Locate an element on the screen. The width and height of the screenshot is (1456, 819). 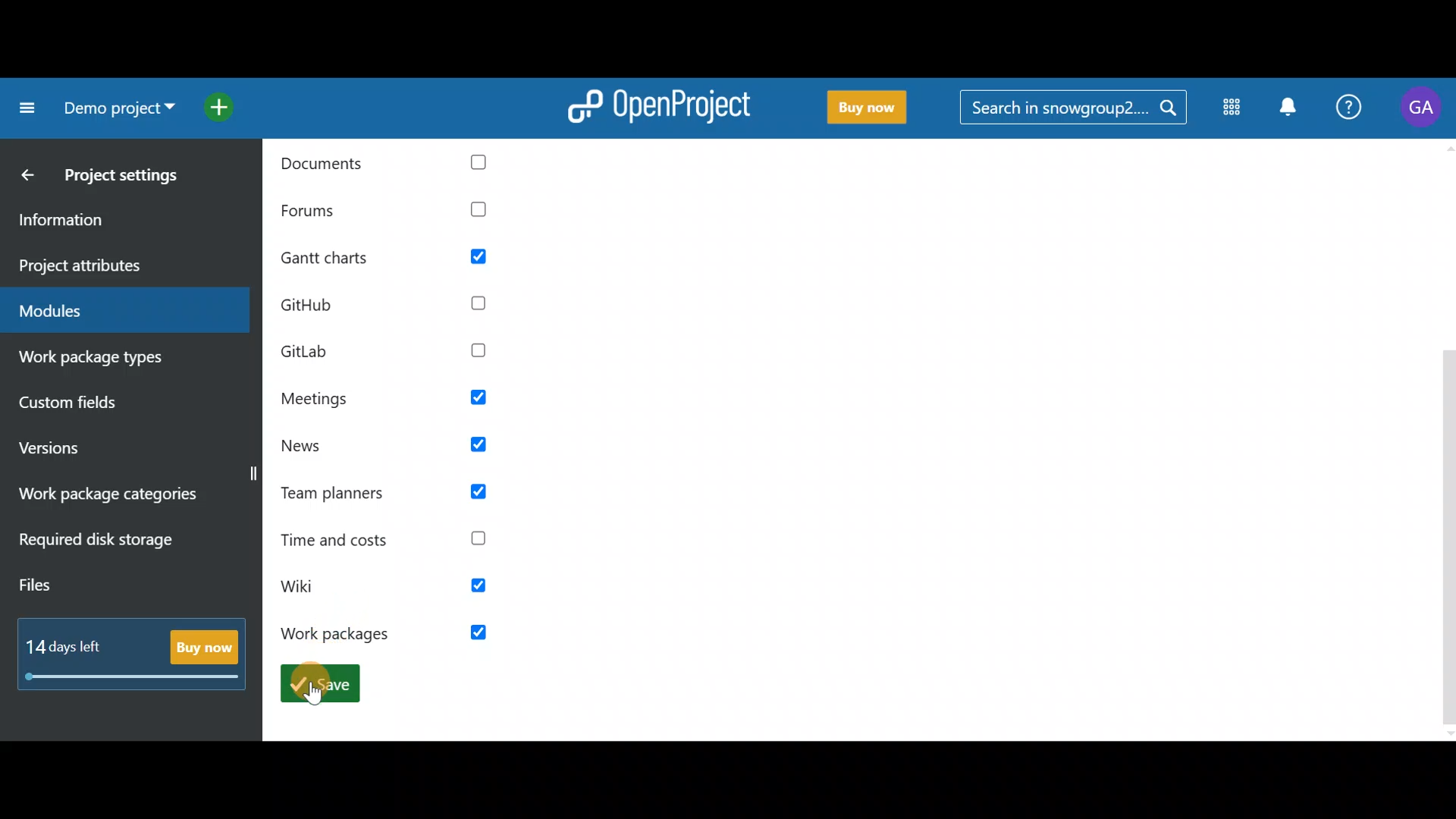
Information is located at coordinates (113, 222).